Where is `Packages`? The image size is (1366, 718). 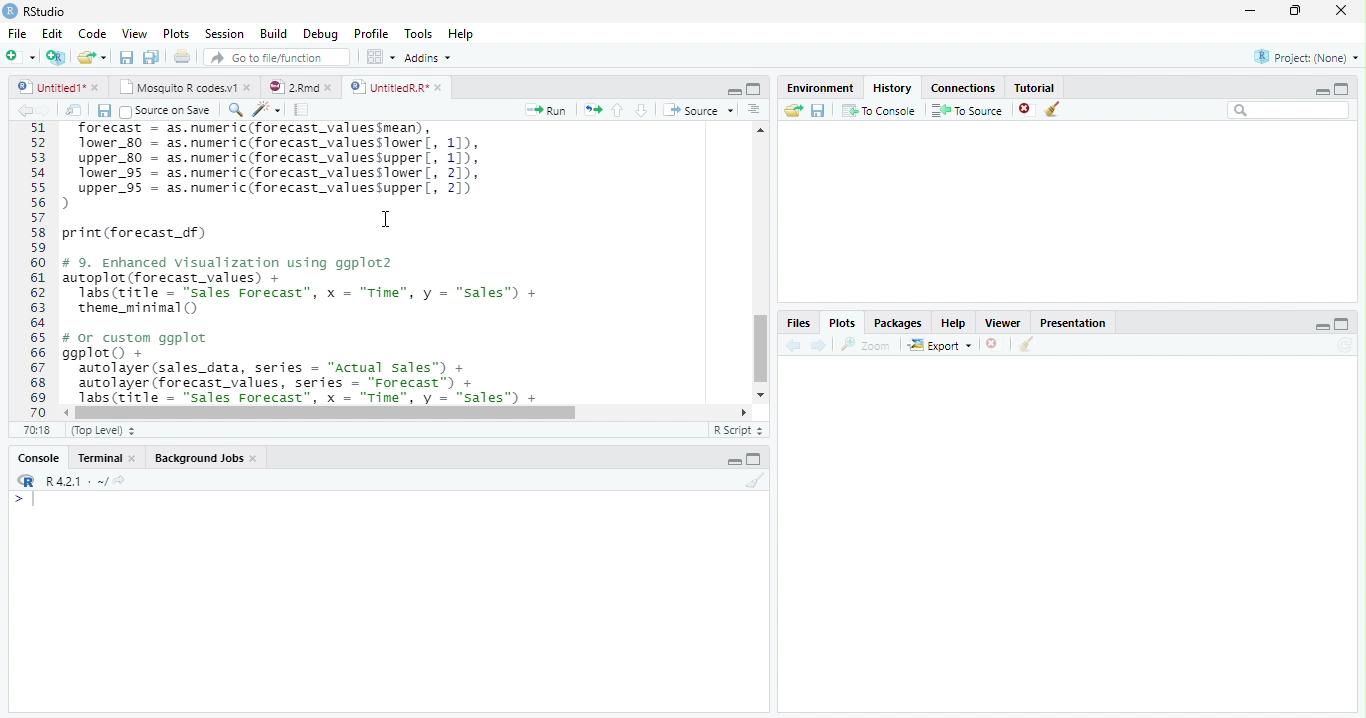 Packages is located at coordinates (899, 324).